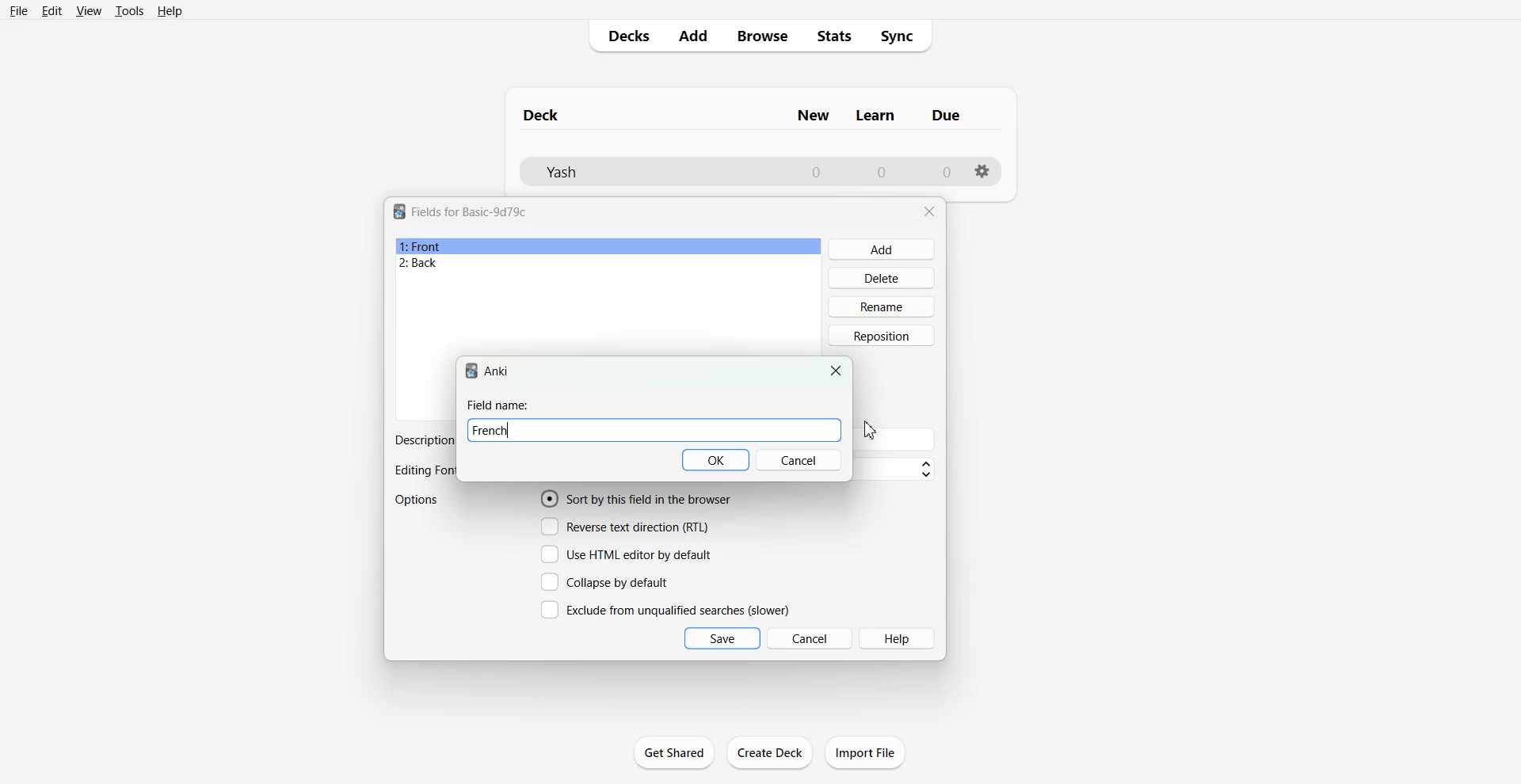  I want to click on Cursor, so click(870, 430).